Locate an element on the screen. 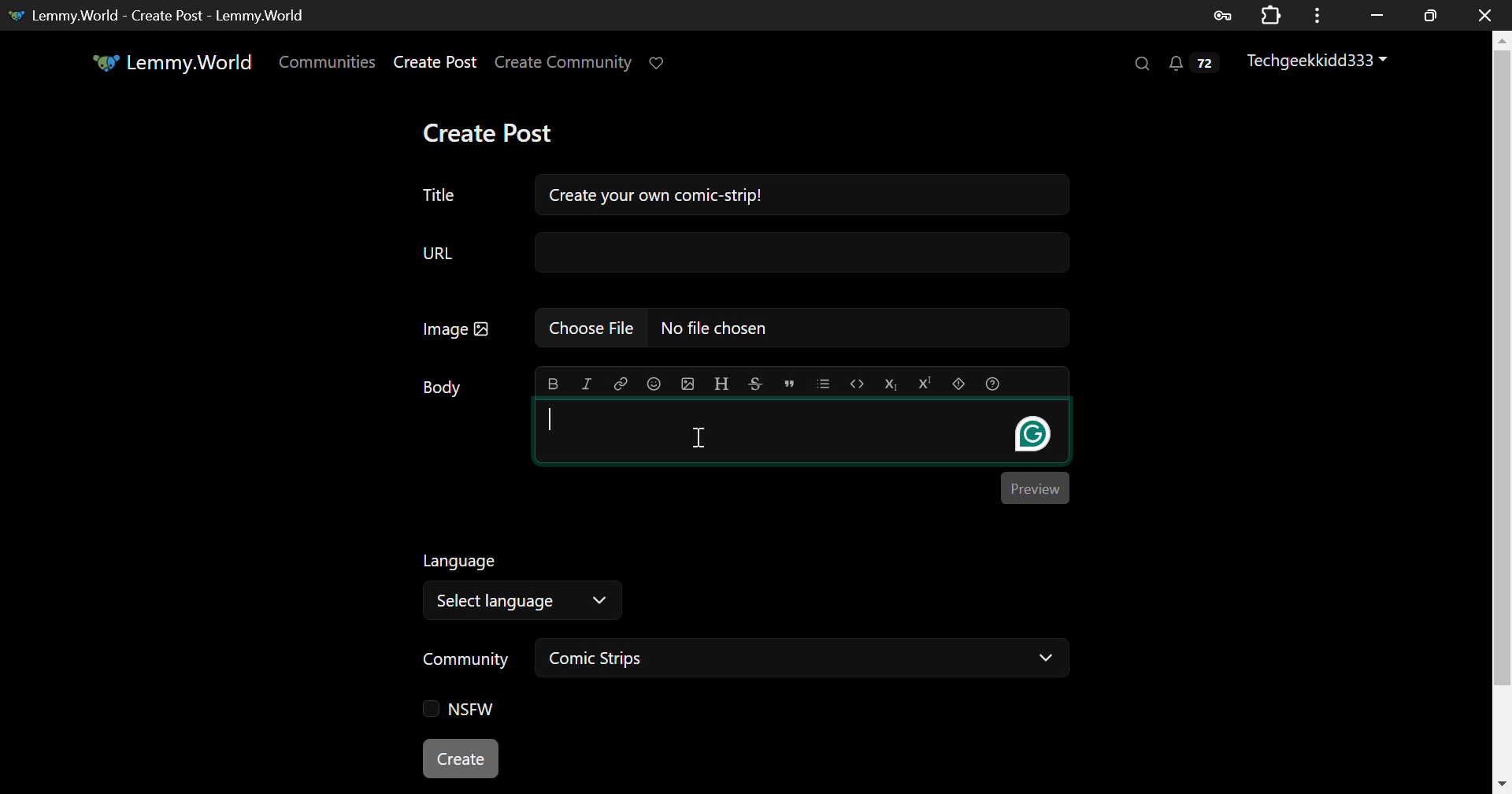 The height and width of the screenshot is (794, 1512). Search is located at coordinates (1140, 64).